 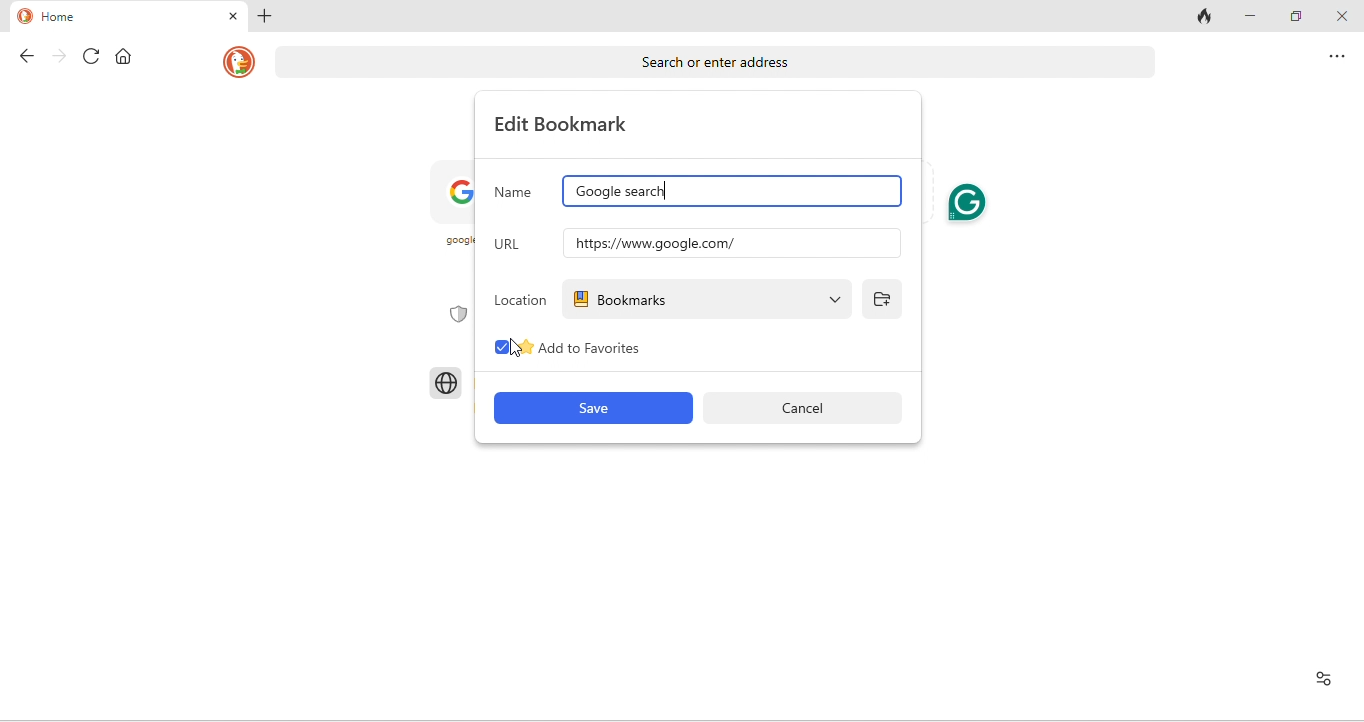 I want to click on bookmarks, so click(x=709, y=299).